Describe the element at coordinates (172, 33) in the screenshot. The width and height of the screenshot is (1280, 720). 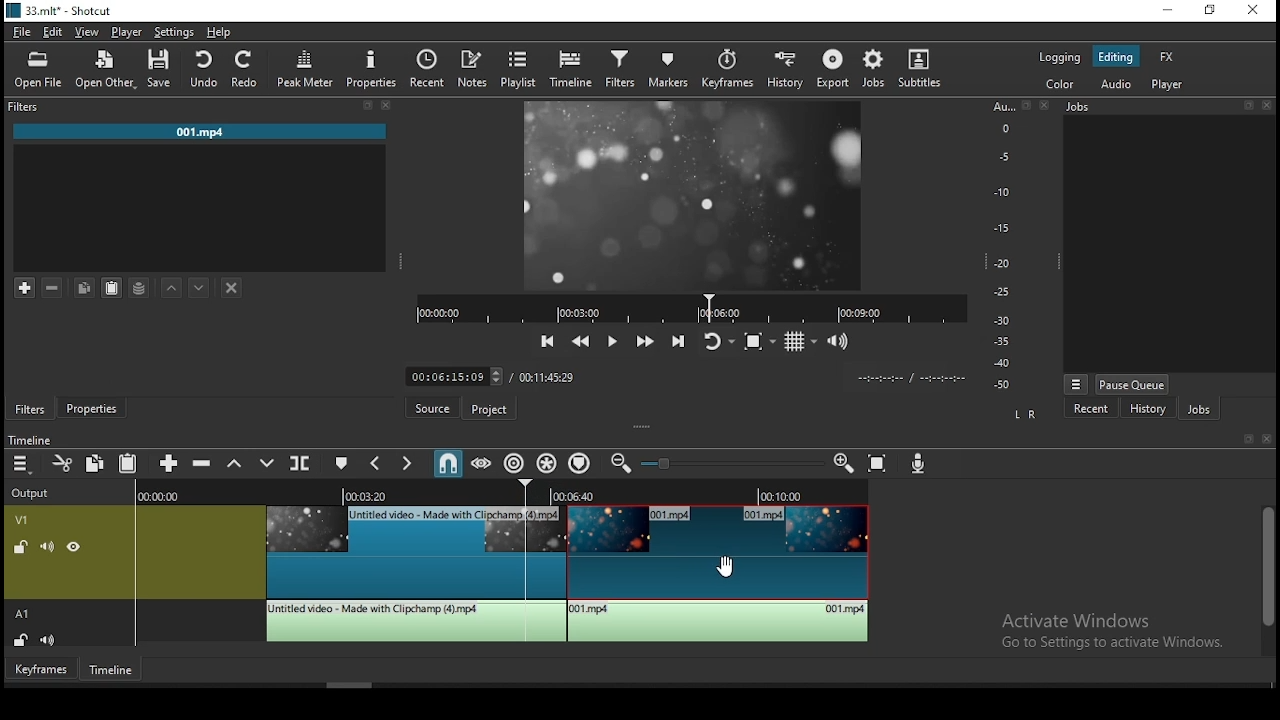
I see `settings` at that location.